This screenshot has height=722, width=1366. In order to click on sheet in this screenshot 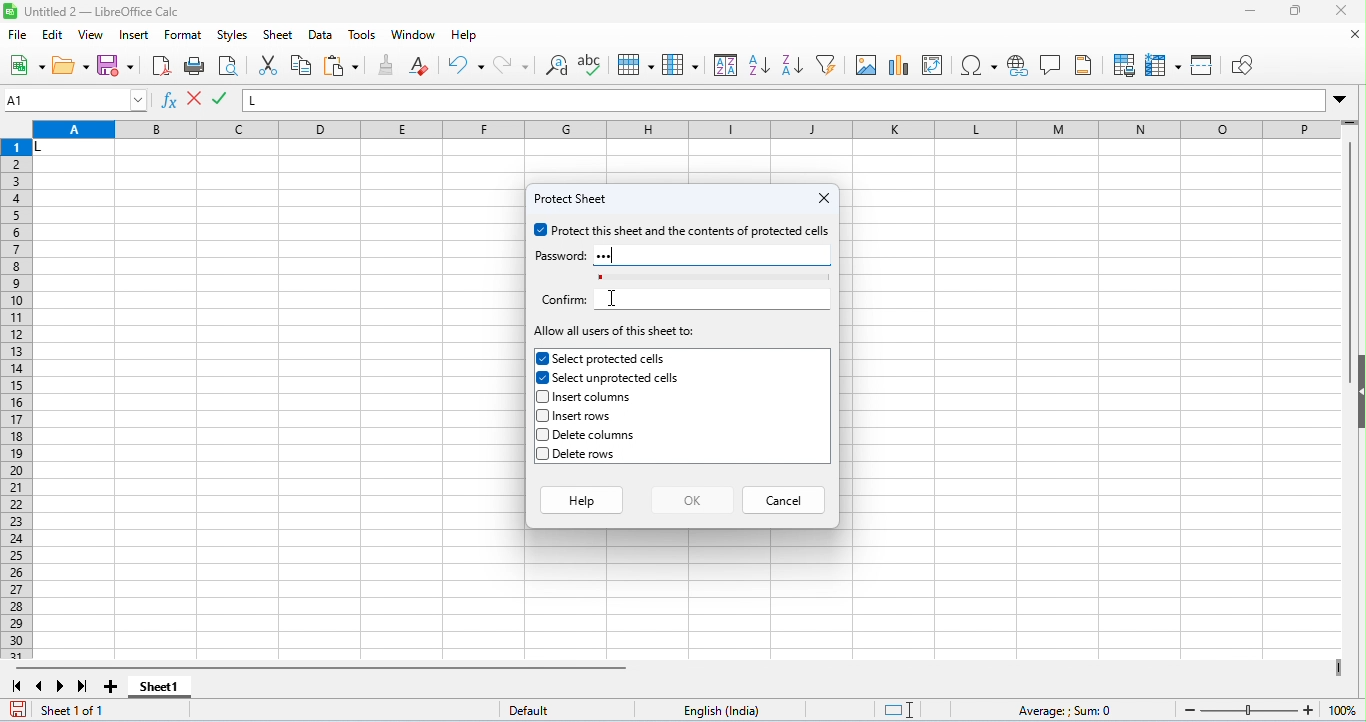, I will do `click(278, 35)`.